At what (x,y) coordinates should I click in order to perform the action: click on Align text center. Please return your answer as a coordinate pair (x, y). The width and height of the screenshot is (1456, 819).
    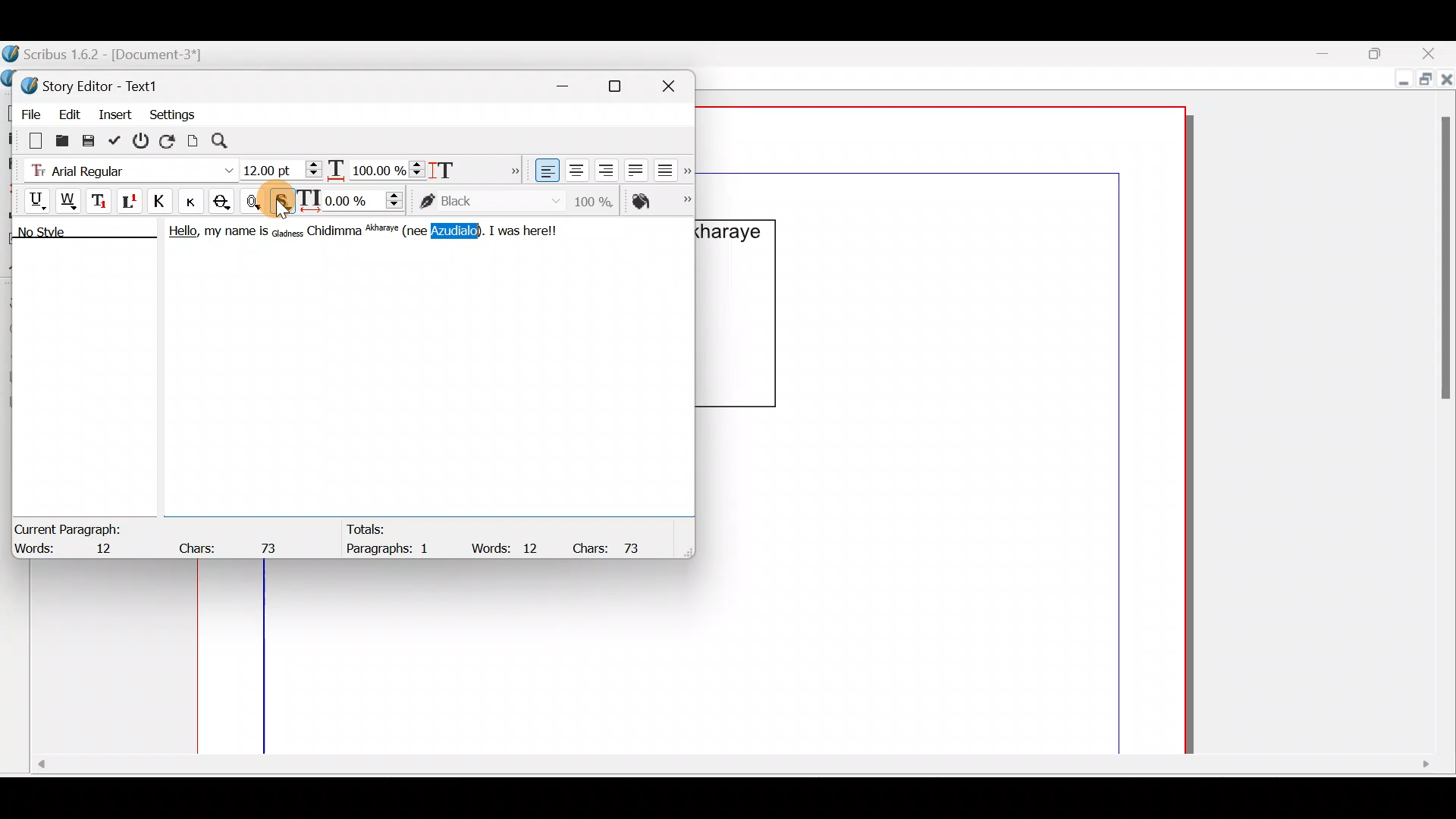
    Looking at the image, I should click on (575, 168).